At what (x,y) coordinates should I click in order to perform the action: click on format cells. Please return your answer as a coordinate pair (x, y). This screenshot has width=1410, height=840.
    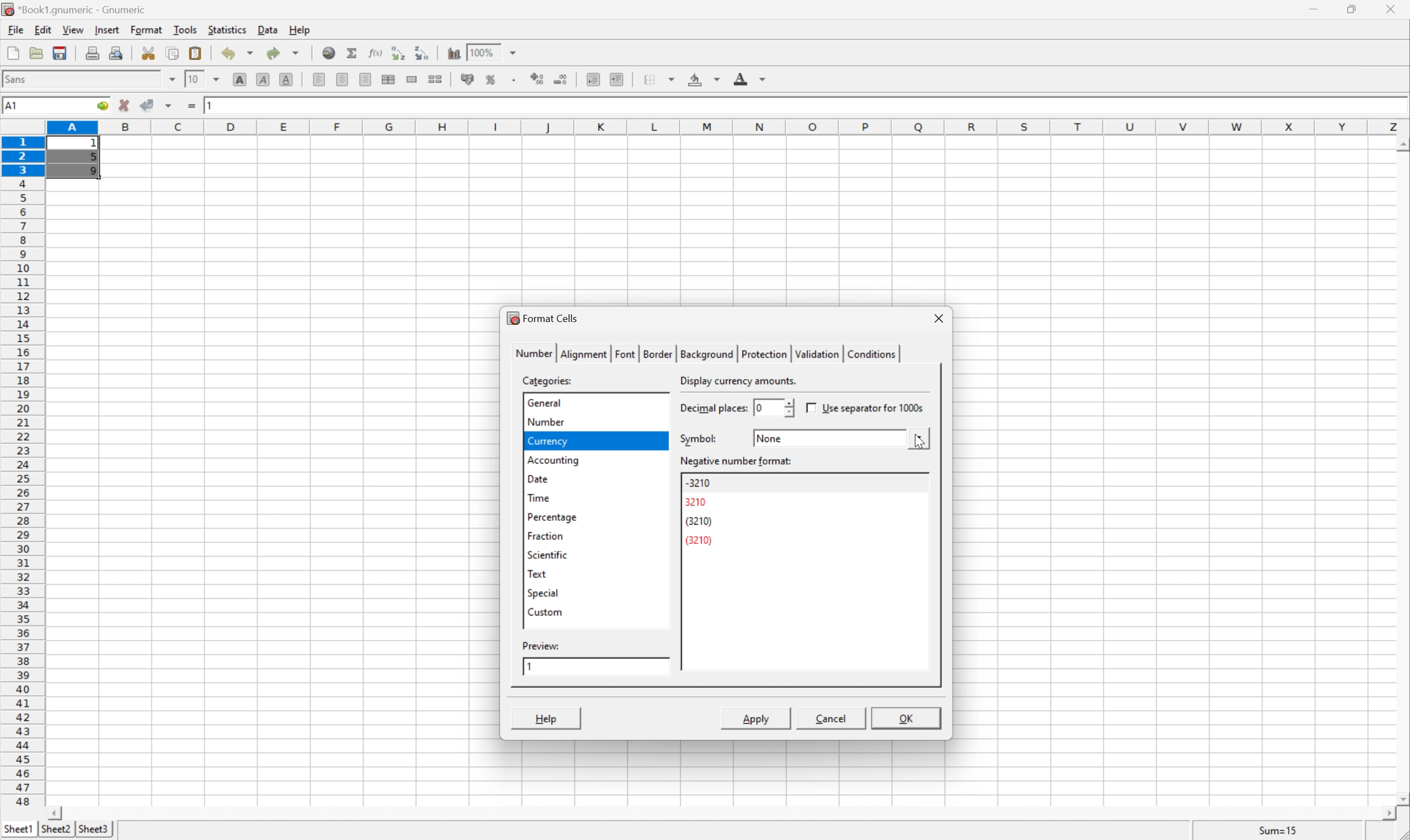
    Looking at the image, I should click on (542, 317).